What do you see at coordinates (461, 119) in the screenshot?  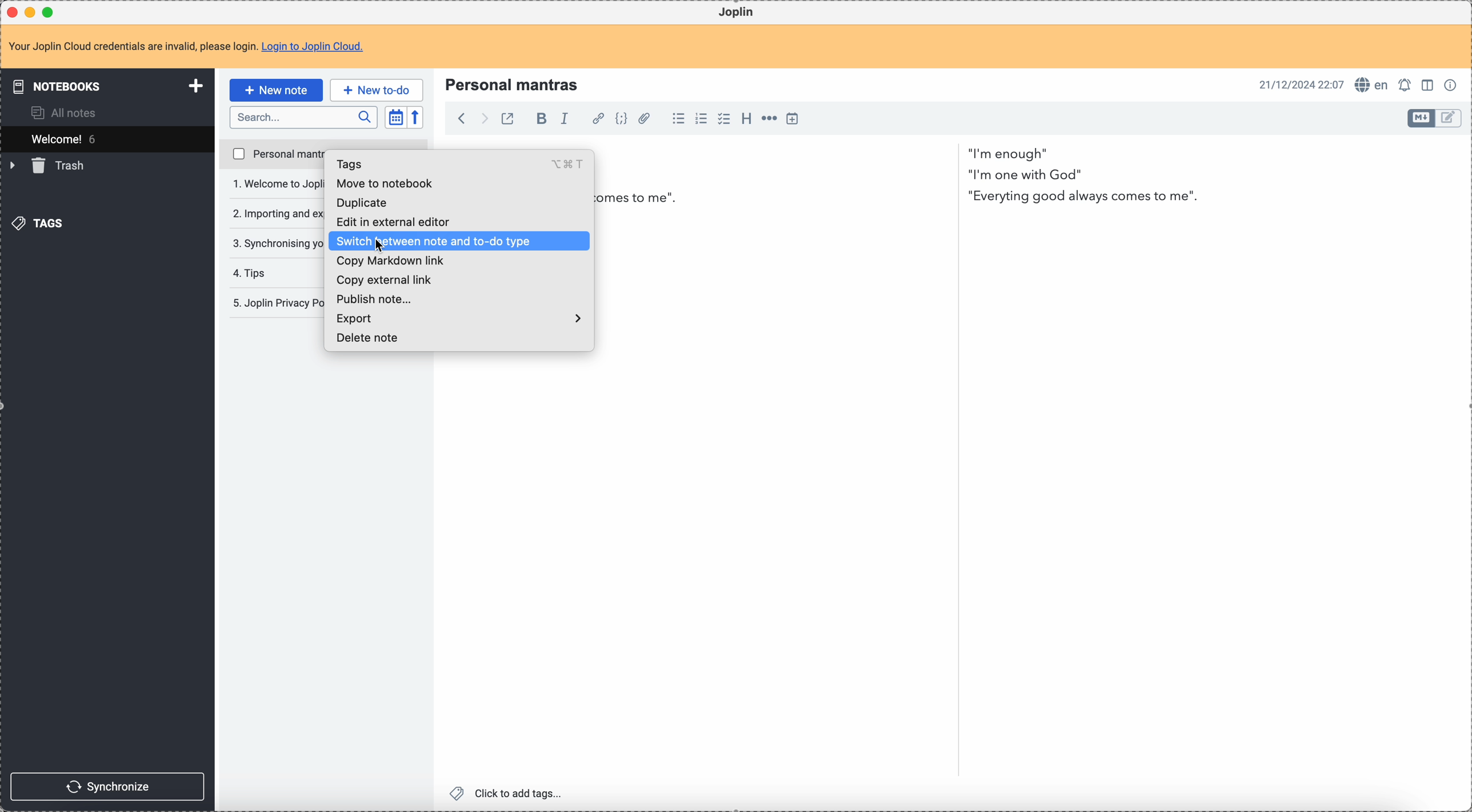 I see `back` at bounding box center [461, 119].